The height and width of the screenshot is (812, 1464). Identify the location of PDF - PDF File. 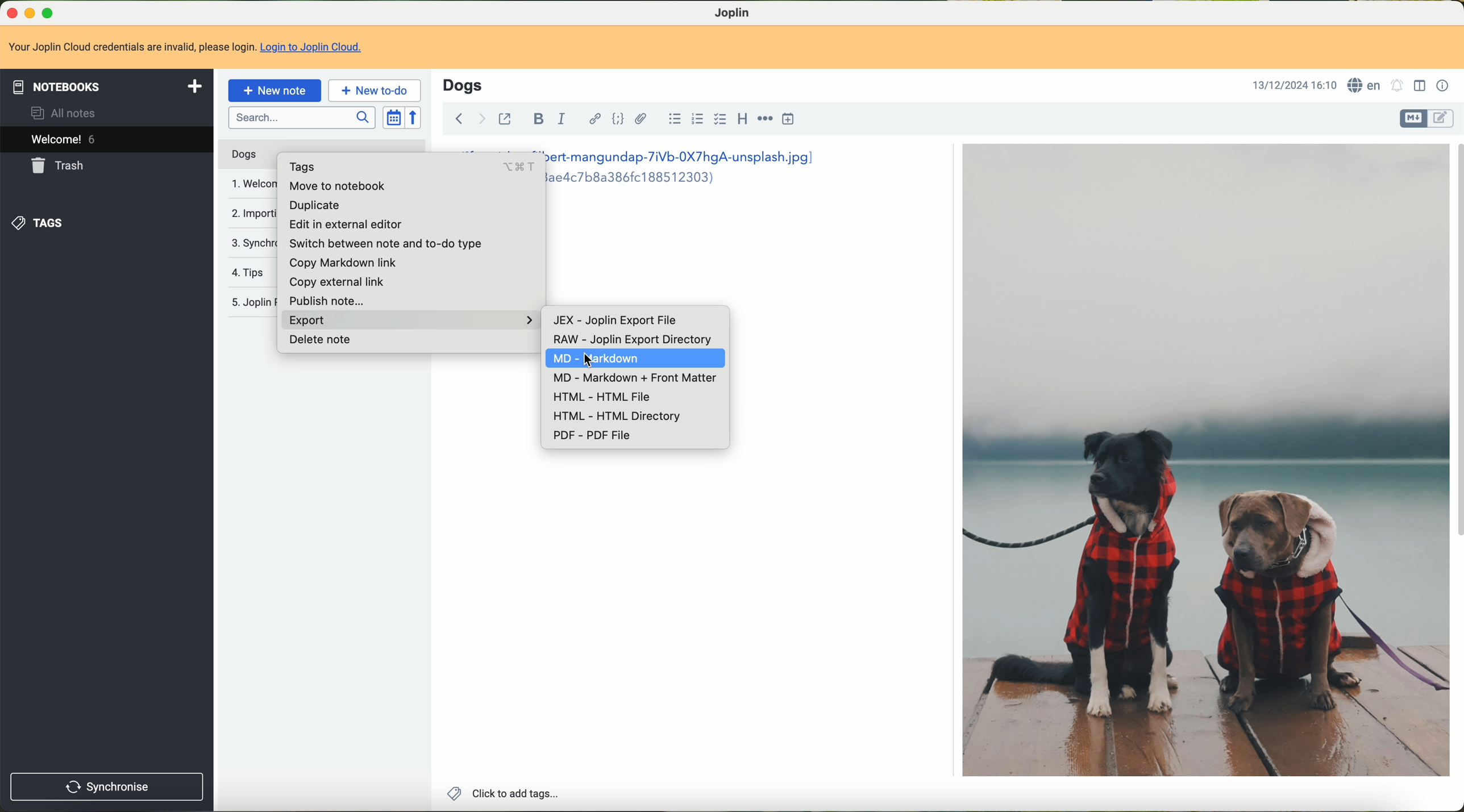
(594, 436).